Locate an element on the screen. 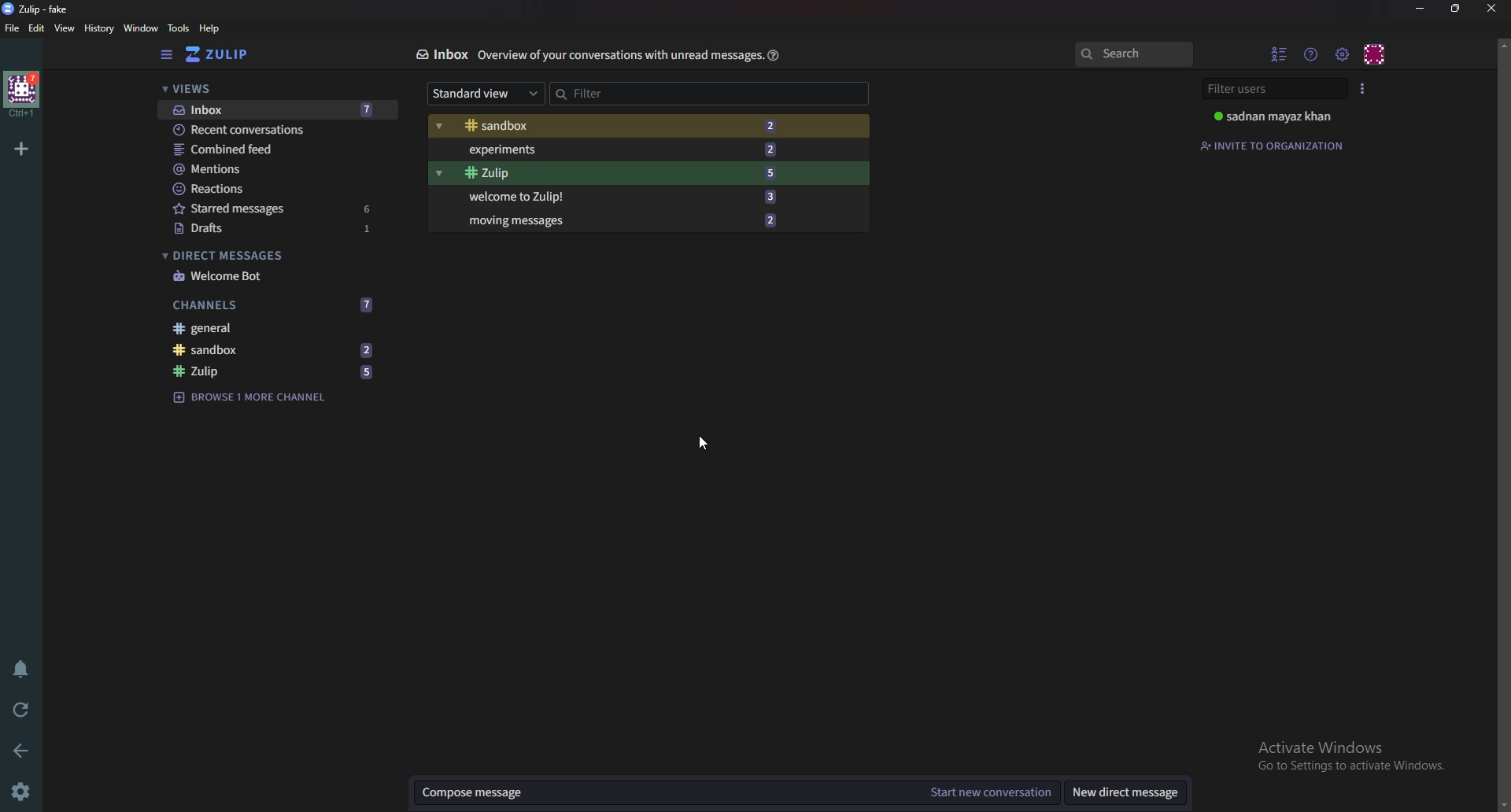  Inbox is located at coordinates (441, 53).